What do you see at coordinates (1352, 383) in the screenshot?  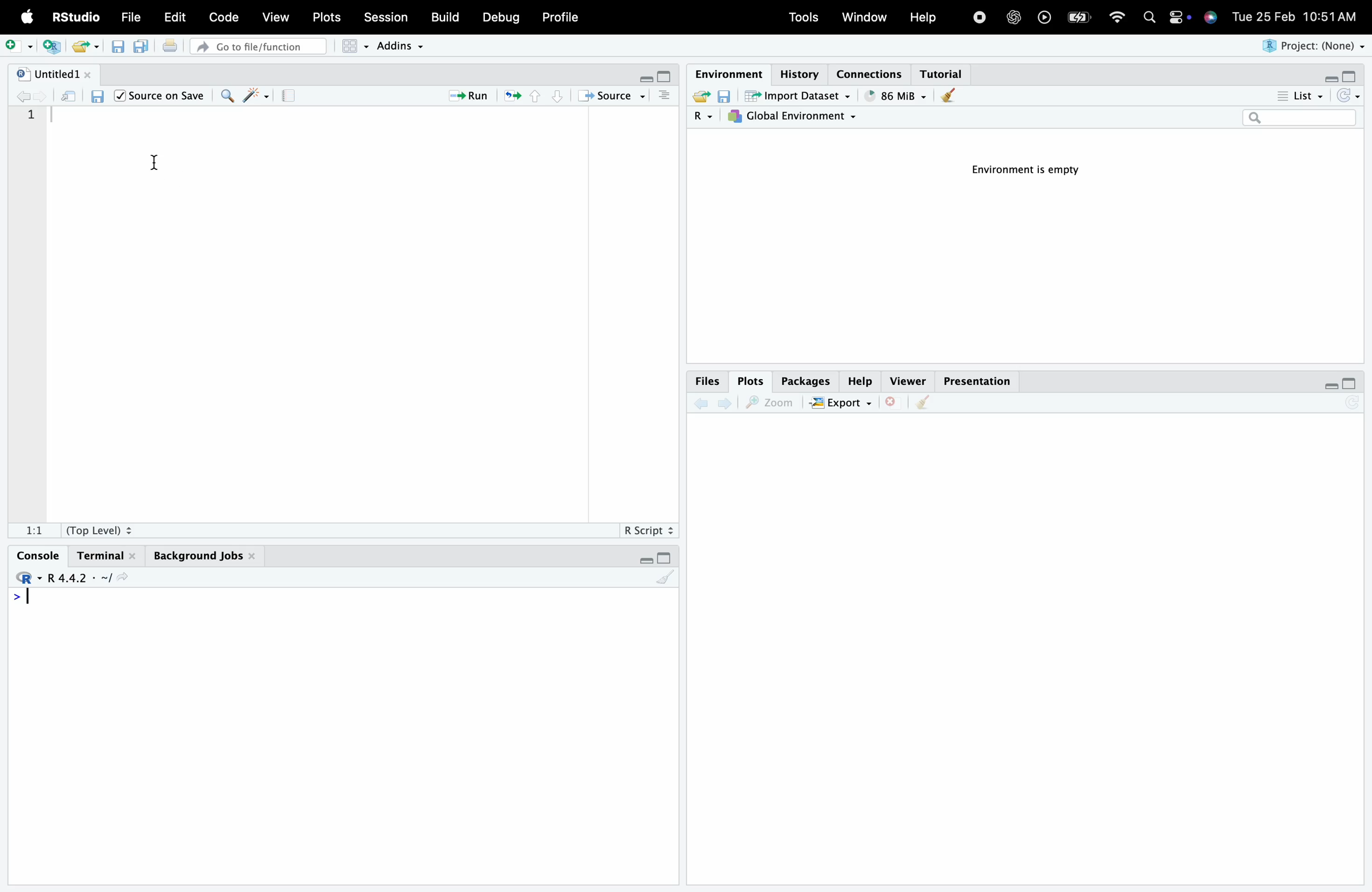 I see `maximise` at bounding box center [1352, 383].